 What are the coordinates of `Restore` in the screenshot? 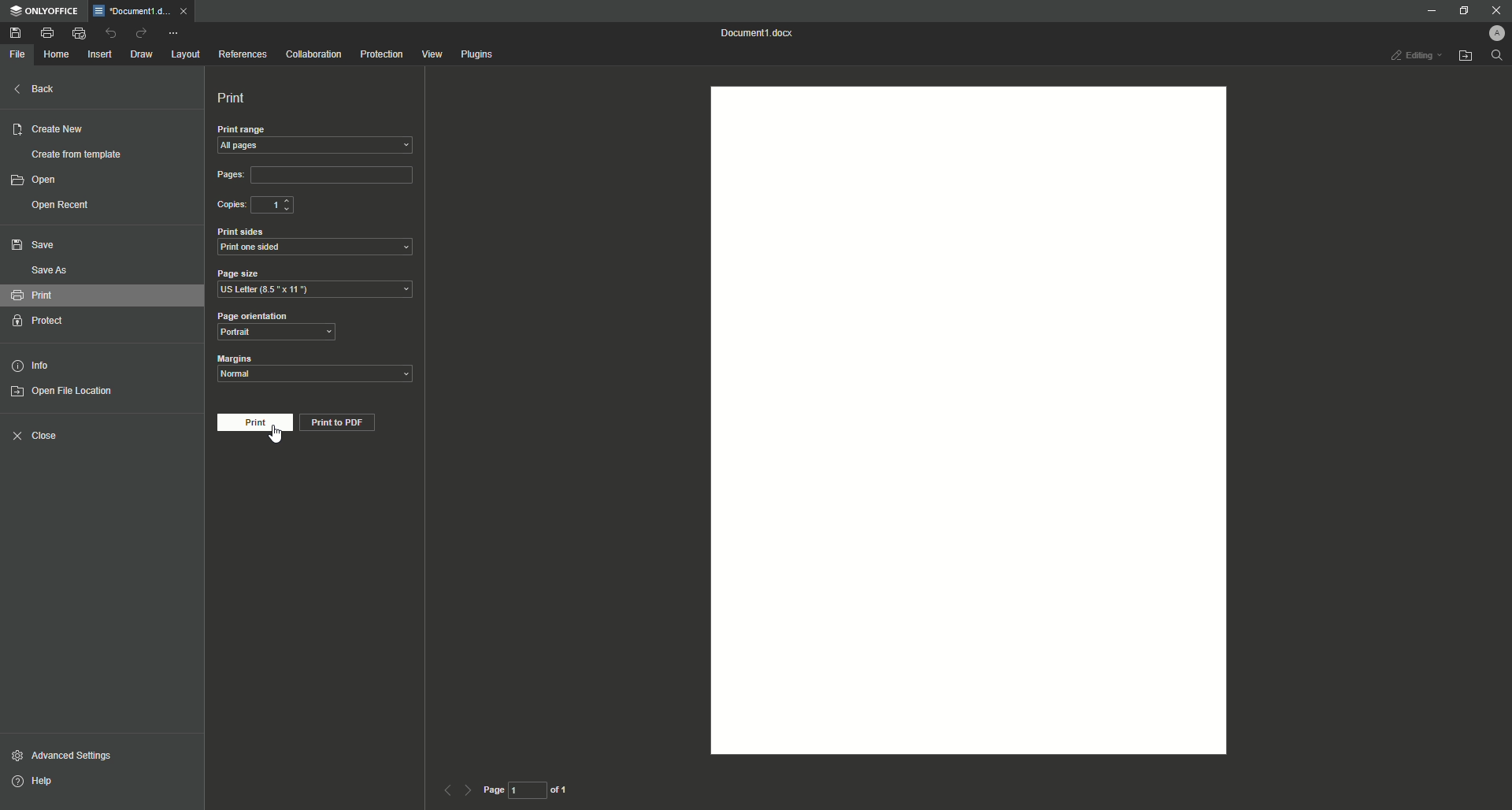 It's located at (1458, 10).